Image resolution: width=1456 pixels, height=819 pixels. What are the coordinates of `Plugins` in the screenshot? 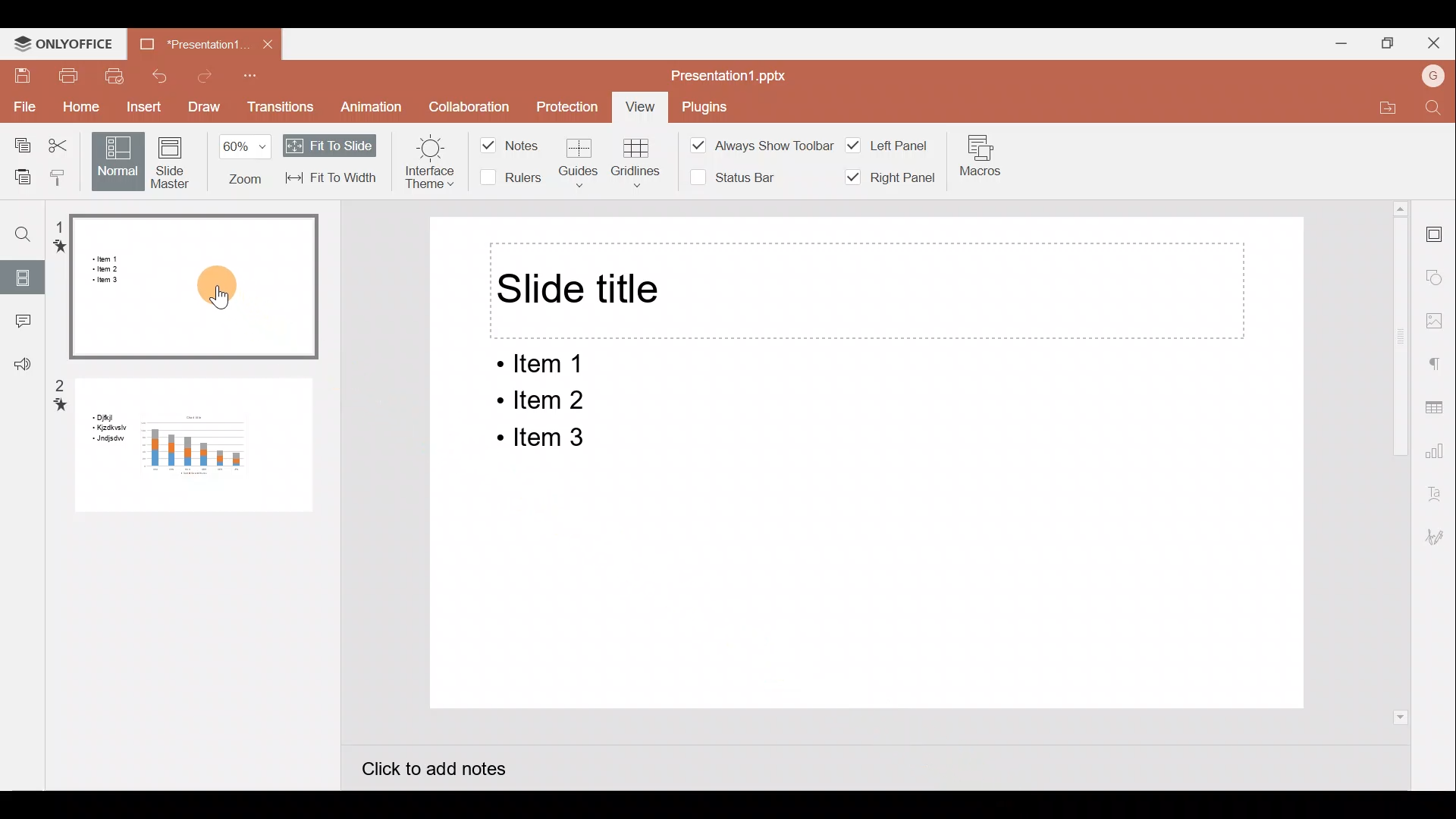 It's located at (710, 106).